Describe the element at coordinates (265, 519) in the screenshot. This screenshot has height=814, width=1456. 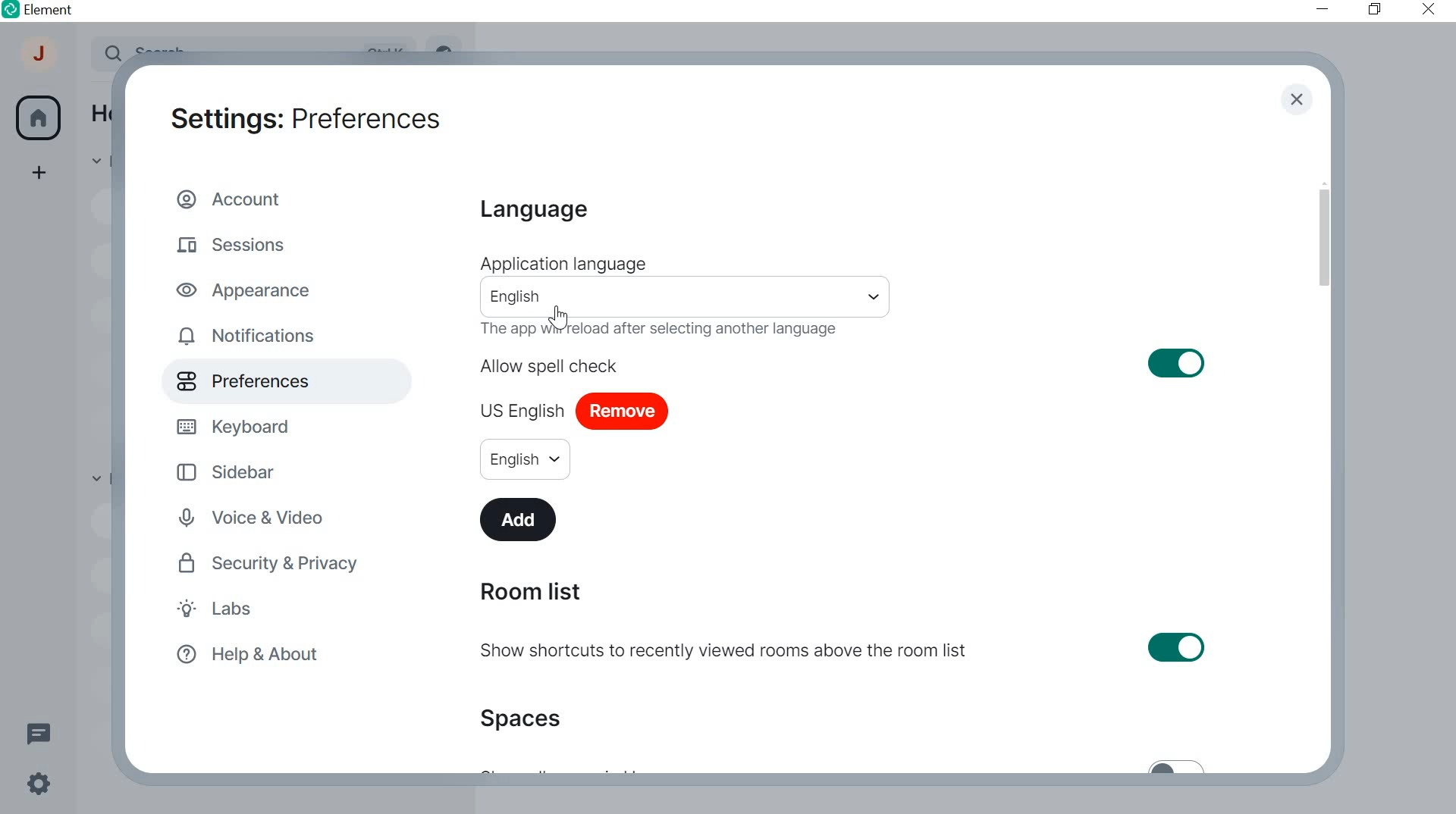
I see `VIDEO & VIDEO` at that location.